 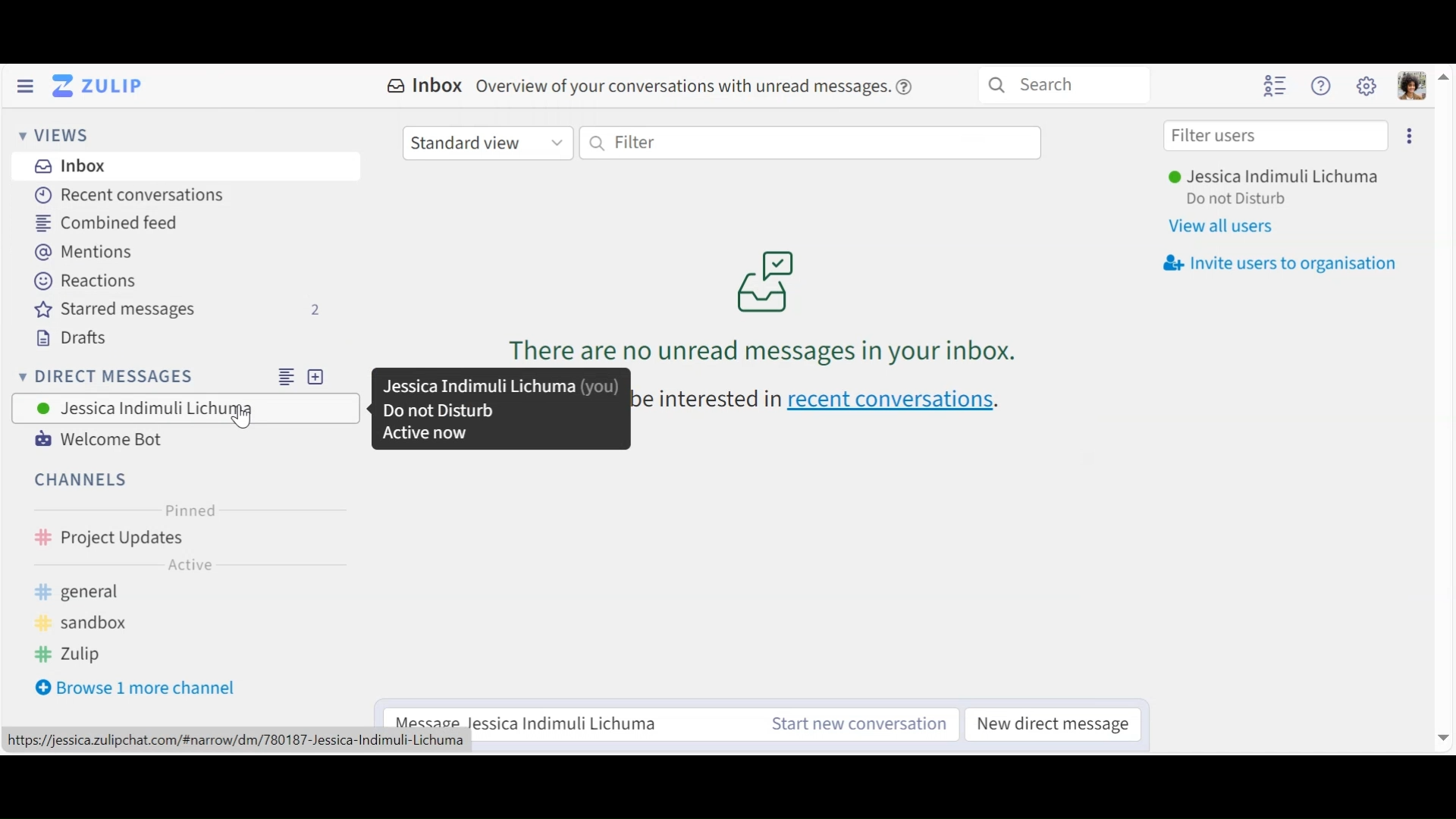 What do you see at coordinates (54, 136) in the screenshot?
I see `Views` at bounding box center [54, 136].